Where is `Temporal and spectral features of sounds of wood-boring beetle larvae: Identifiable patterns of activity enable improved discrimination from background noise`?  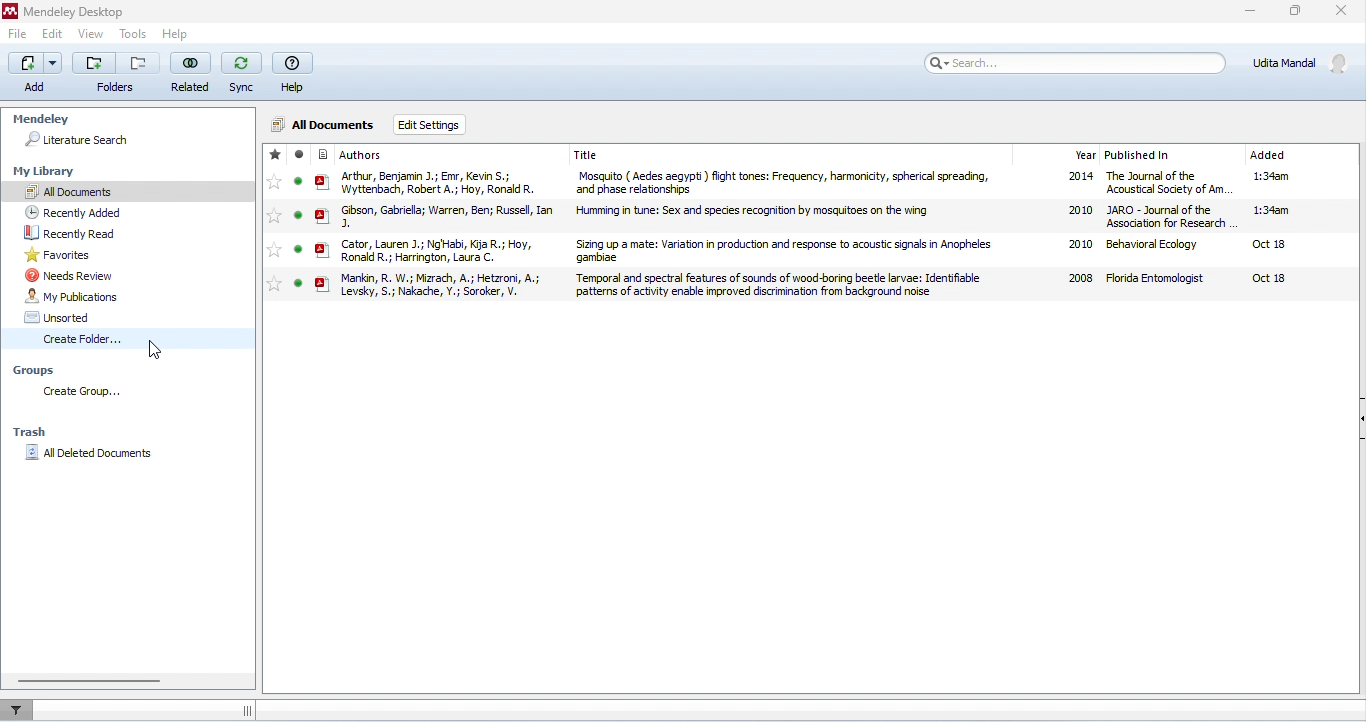 Temporal and spectral features of sounds of wood-boring beetle larvae: Identifiable patterns of activity enable improved discrimination from background noise is located at coordinates (788, 286).